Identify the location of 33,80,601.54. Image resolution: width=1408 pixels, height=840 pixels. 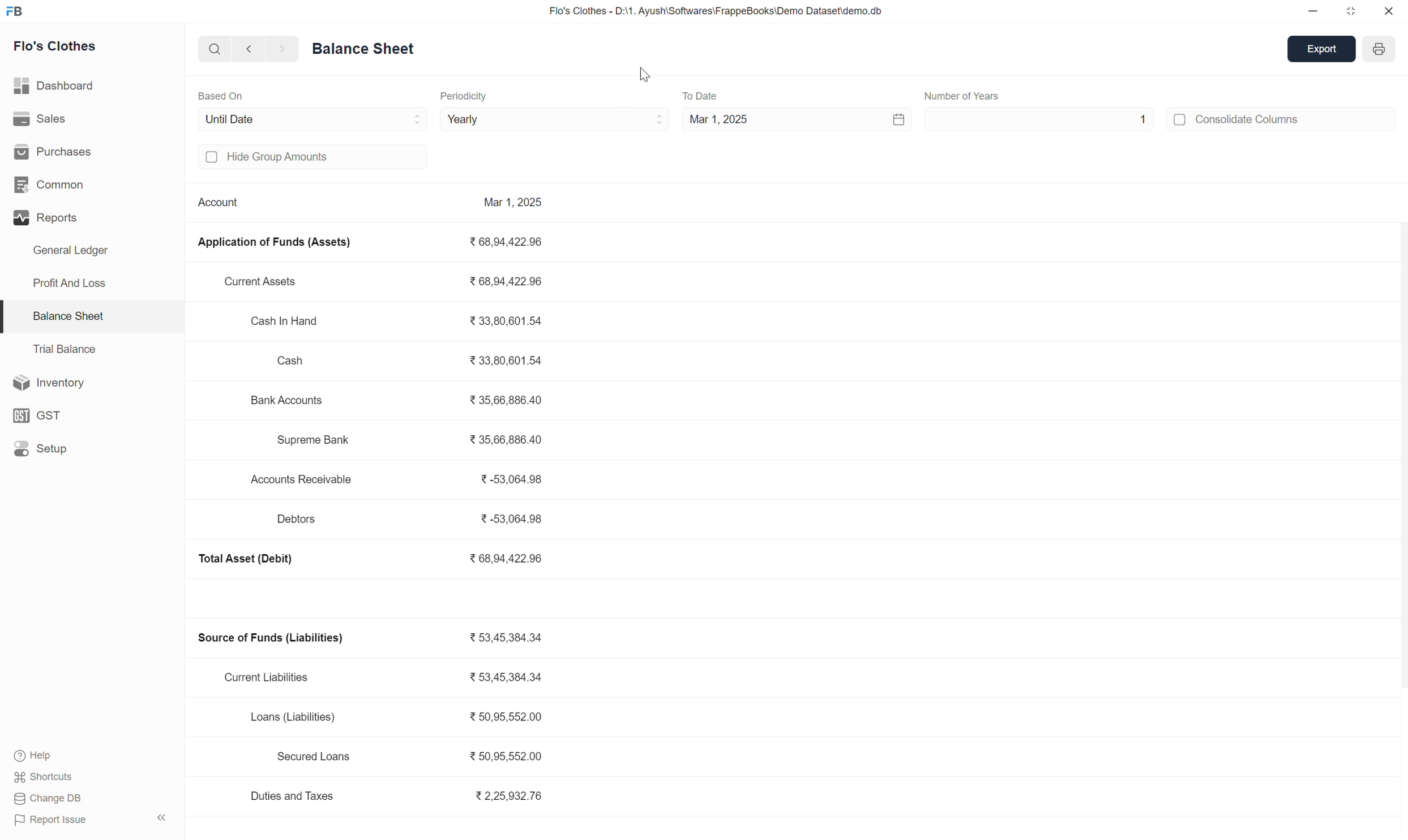
(512, 322).